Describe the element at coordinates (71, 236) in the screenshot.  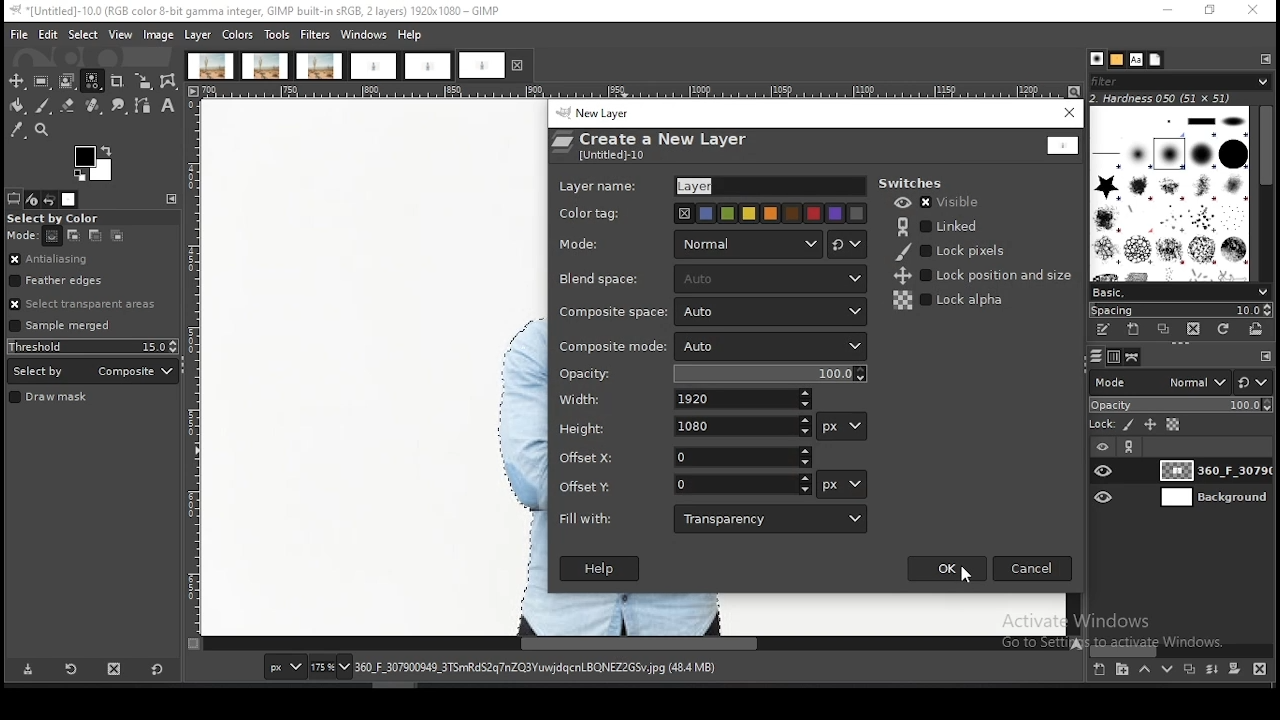
I see `add to the current selection` at that location.